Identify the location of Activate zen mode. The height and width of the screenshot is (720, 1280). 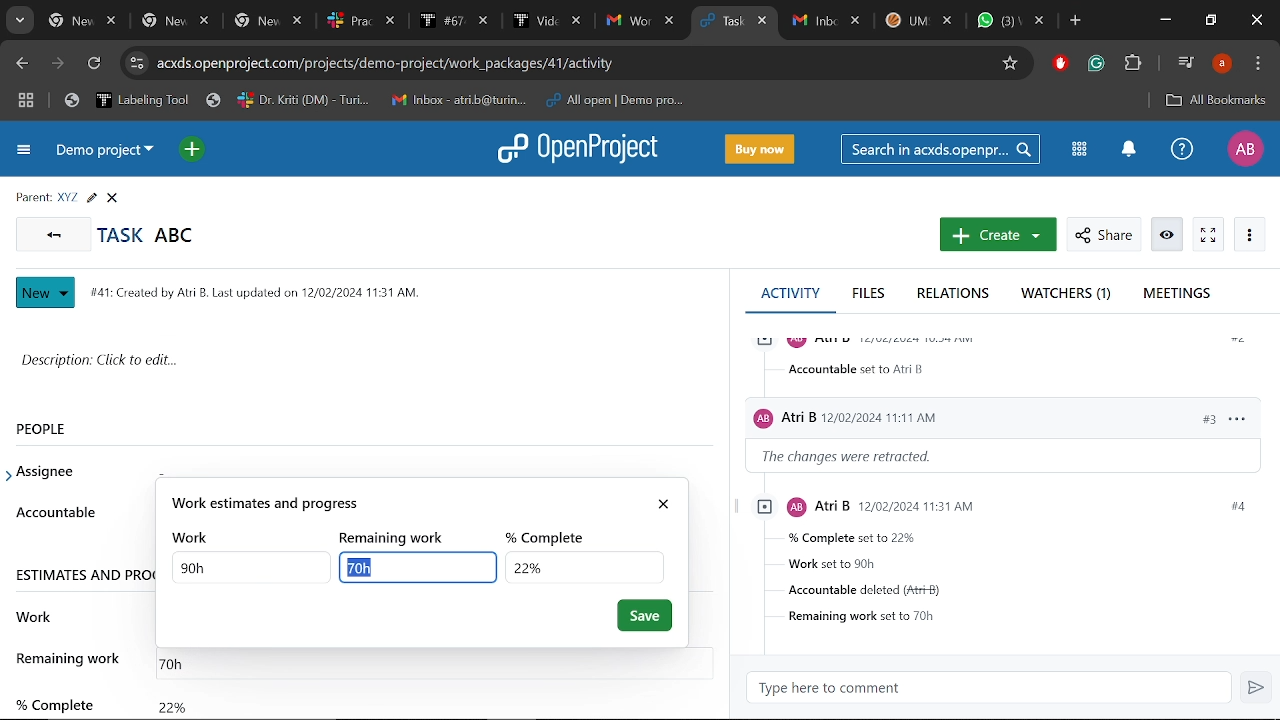
(1208, 235).